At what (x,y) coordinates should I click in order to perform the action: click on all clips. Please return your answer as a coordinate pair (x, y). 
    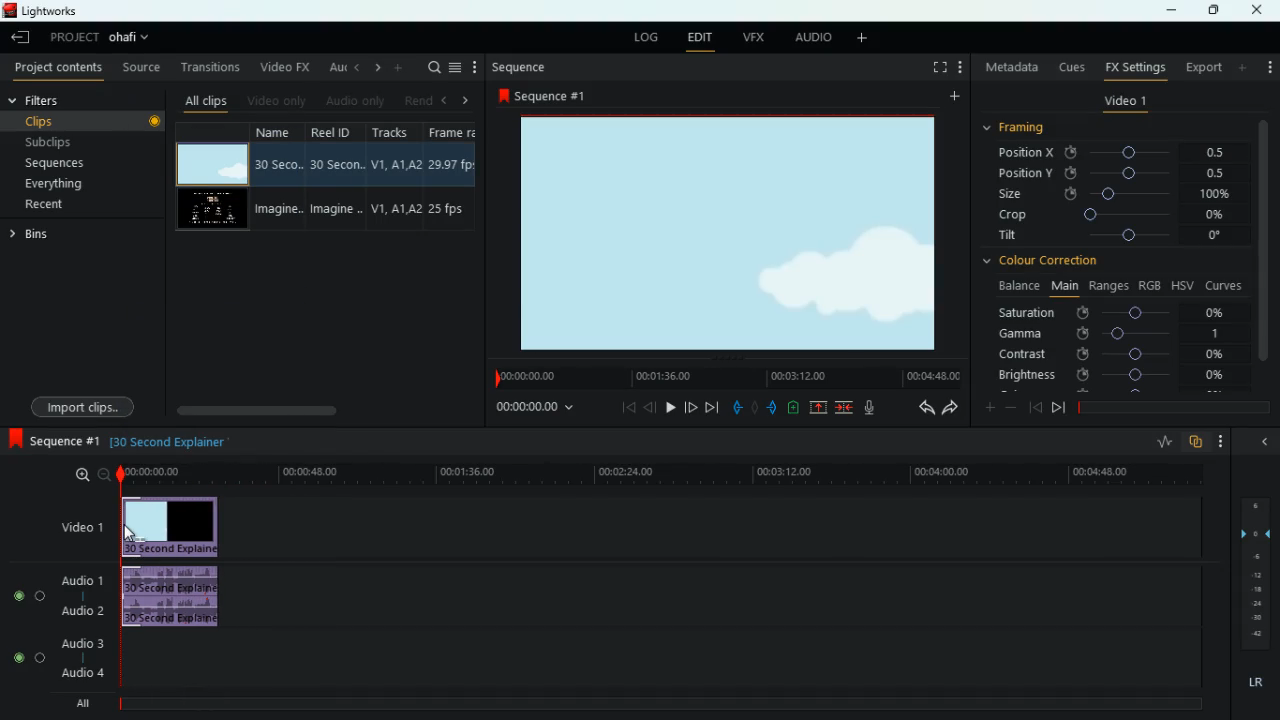
    Looking at the image, I should click on (203, 102).